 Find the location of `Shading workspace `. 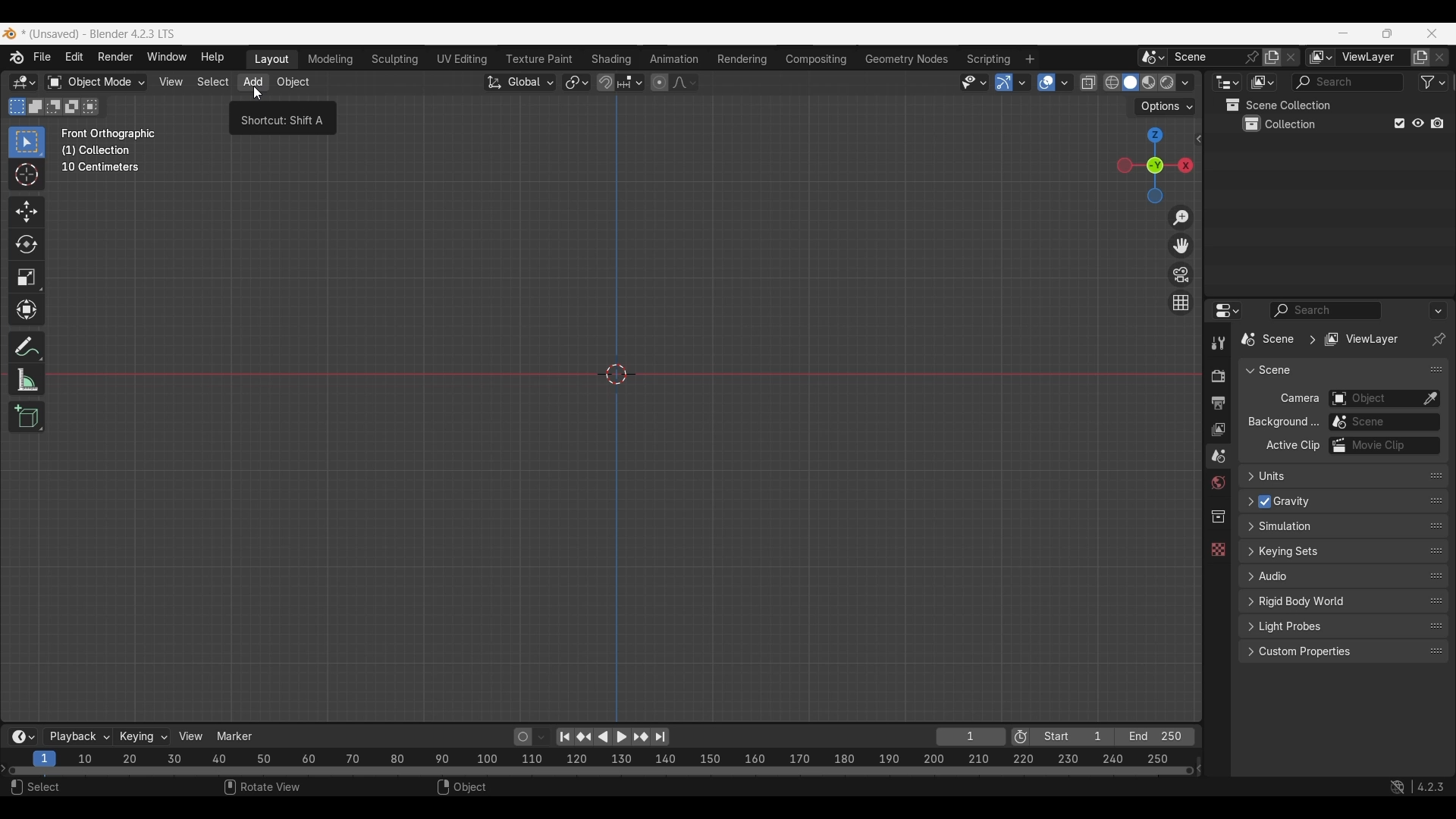

Shading workspace  is located at coordinates (613, 59).